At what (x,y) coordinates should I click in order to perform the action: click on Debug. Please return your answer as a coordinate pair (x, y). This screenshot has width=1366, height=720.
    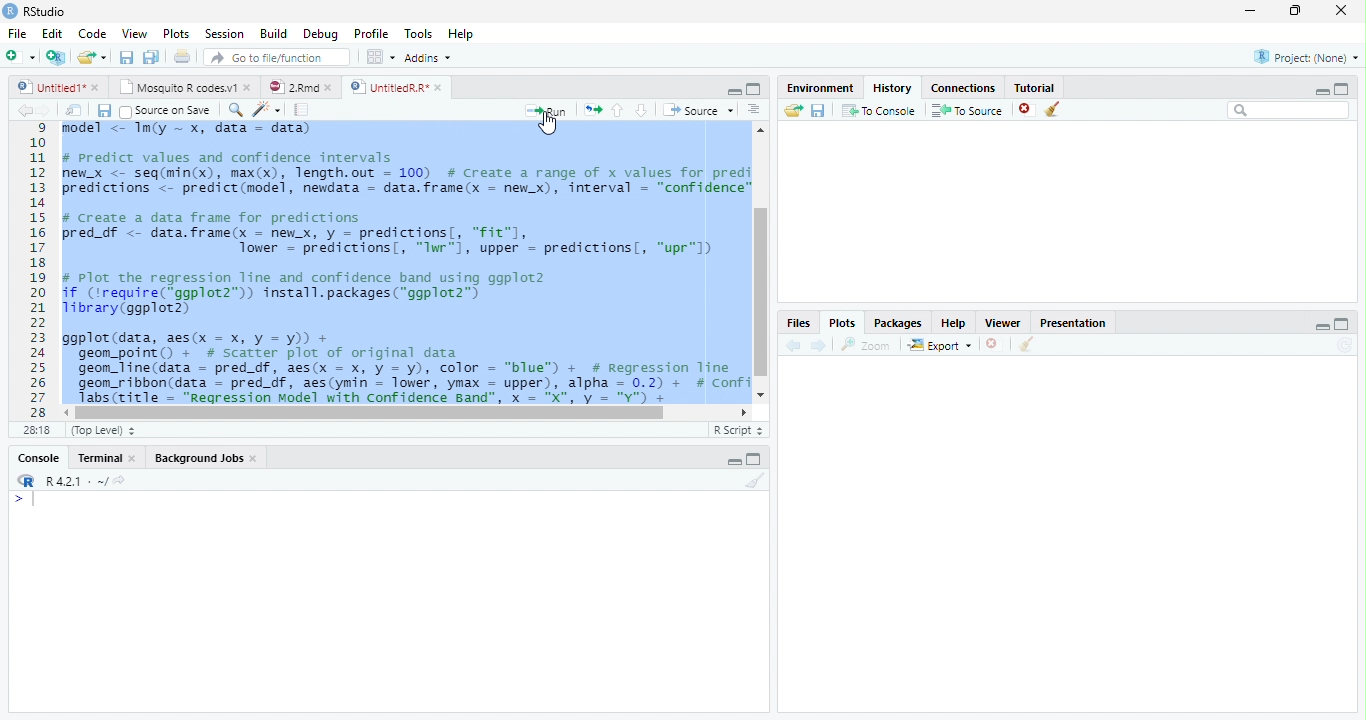
    Looking at the image, I should click on (324, 36).